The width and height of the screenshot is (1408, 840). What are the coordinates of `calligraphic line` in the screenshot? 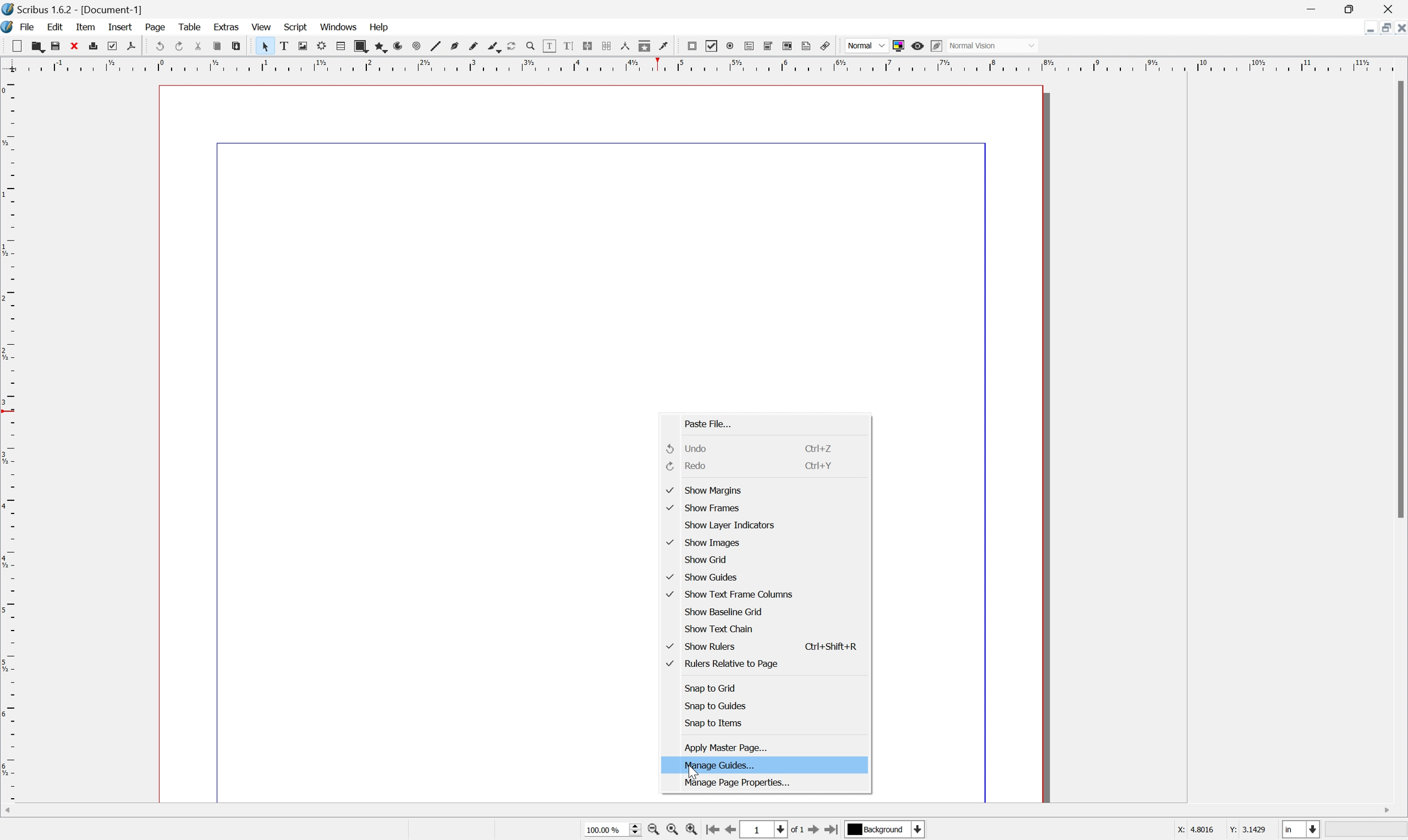 It's located at (493, 45).